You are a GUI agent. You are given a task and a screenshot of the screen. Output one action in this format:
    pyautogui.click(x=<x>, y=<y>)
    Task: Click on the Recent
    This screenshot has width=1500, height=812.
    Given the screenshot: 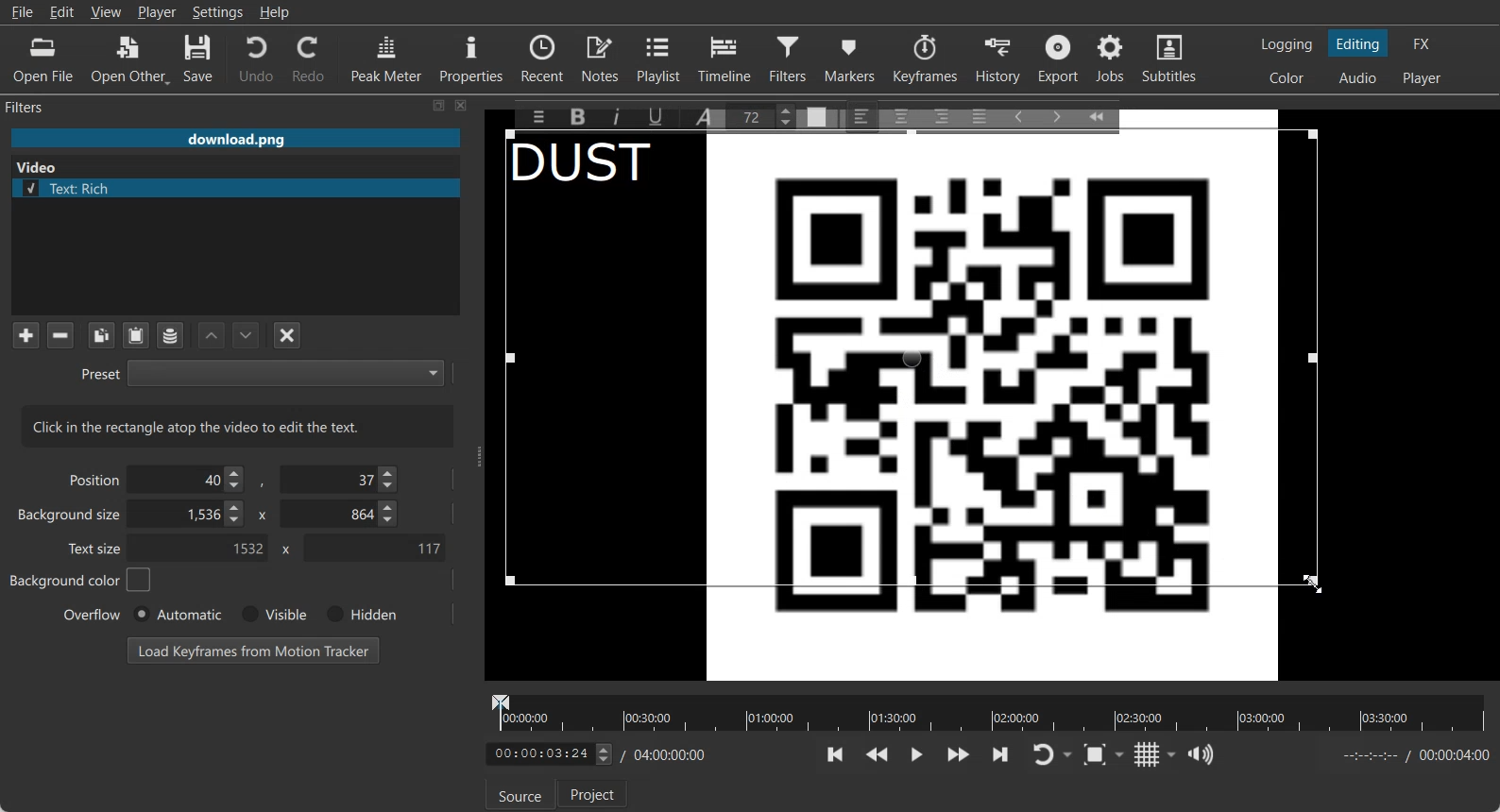 What is the action you would take?
    pyautogui.click(x=542, y=57)
    